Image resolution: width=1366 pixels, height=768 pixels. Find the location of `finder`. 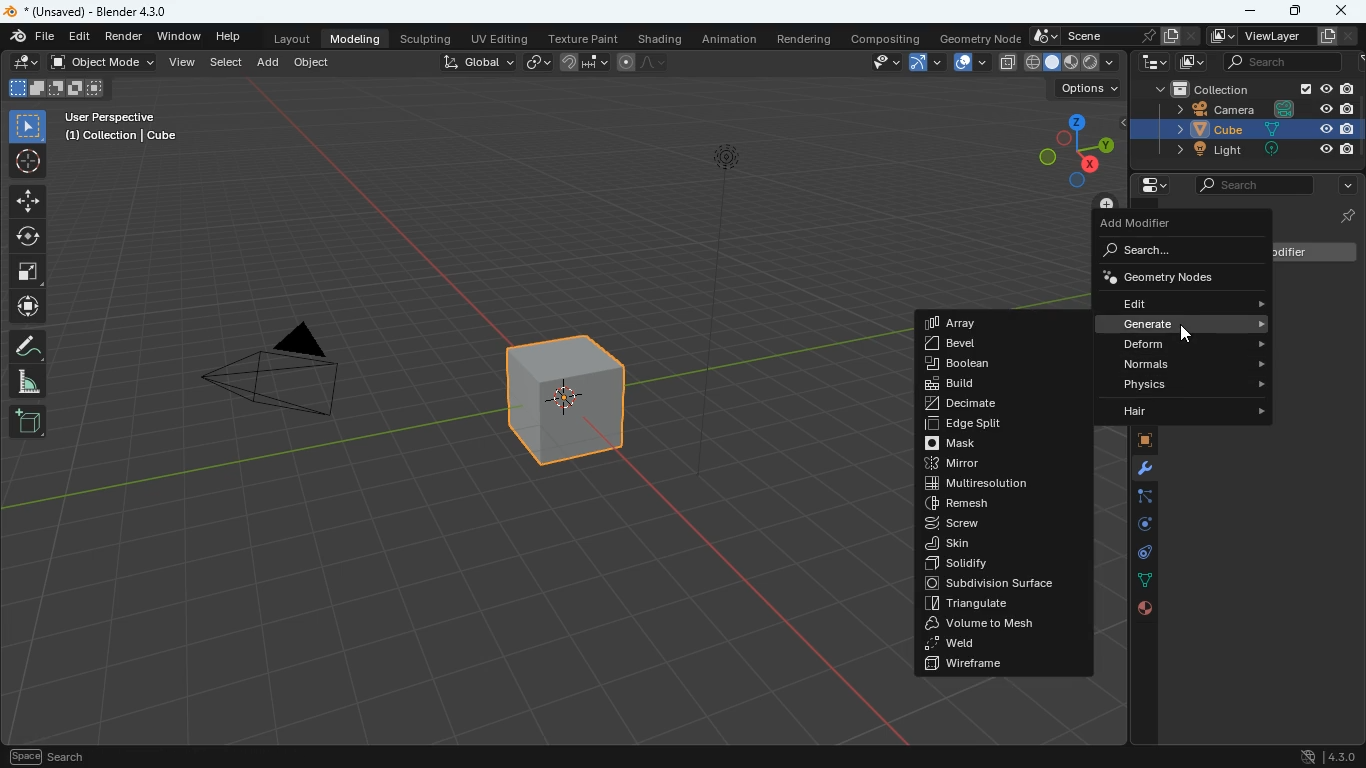

finder is located at coordinates (33, 38).